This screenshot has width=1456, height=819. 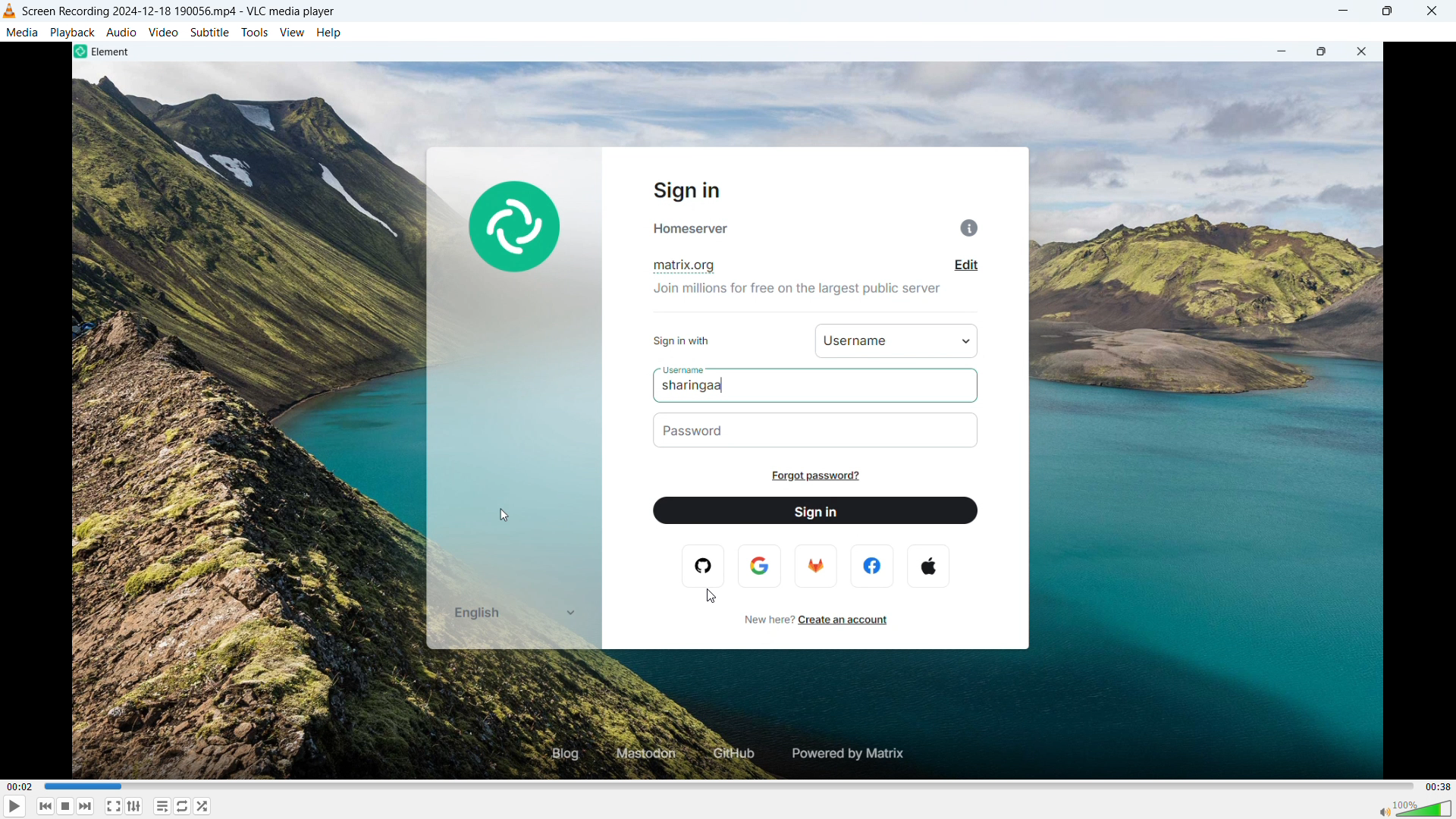 I want to click on cursor, so click(x=506, y=514).